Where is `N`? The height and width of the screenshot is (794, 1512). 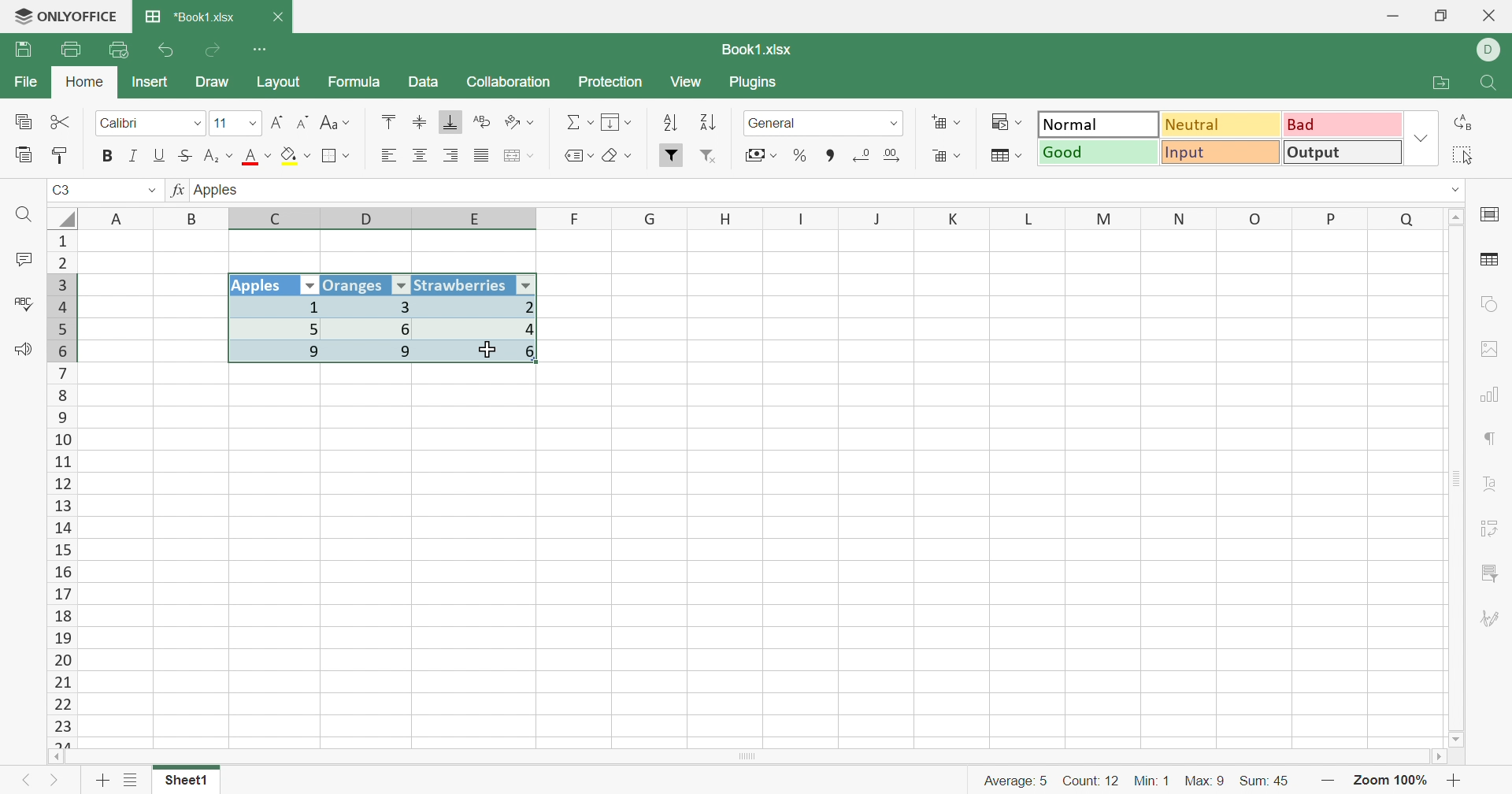
N is located at coordinates (1177, 218).